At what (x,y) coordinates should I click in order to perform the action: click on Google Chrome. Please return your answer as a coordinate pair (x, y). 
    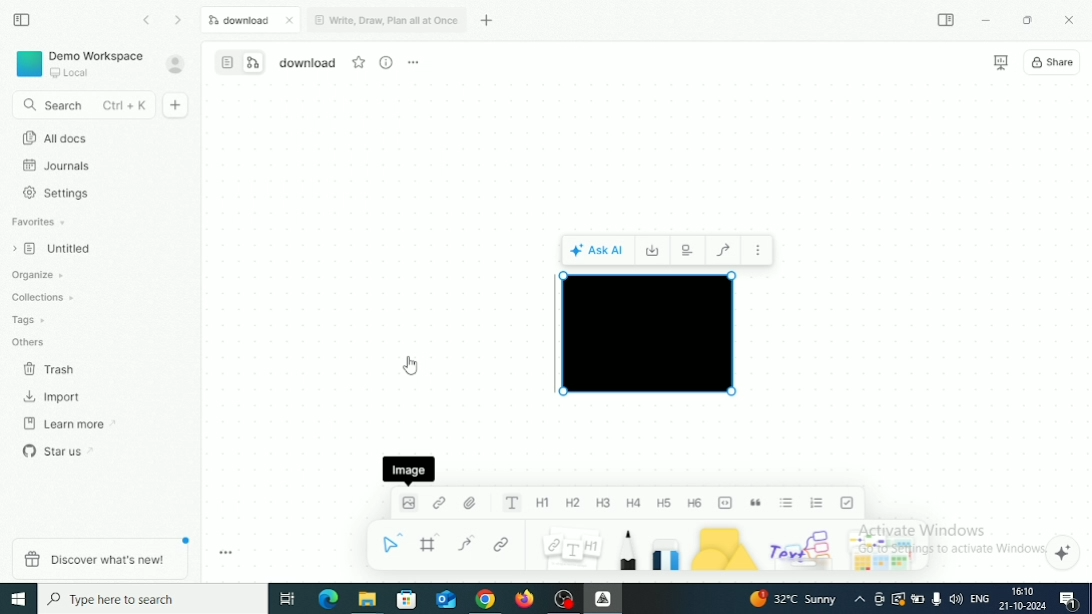
    Looking at the image, I should click on (485, 599).